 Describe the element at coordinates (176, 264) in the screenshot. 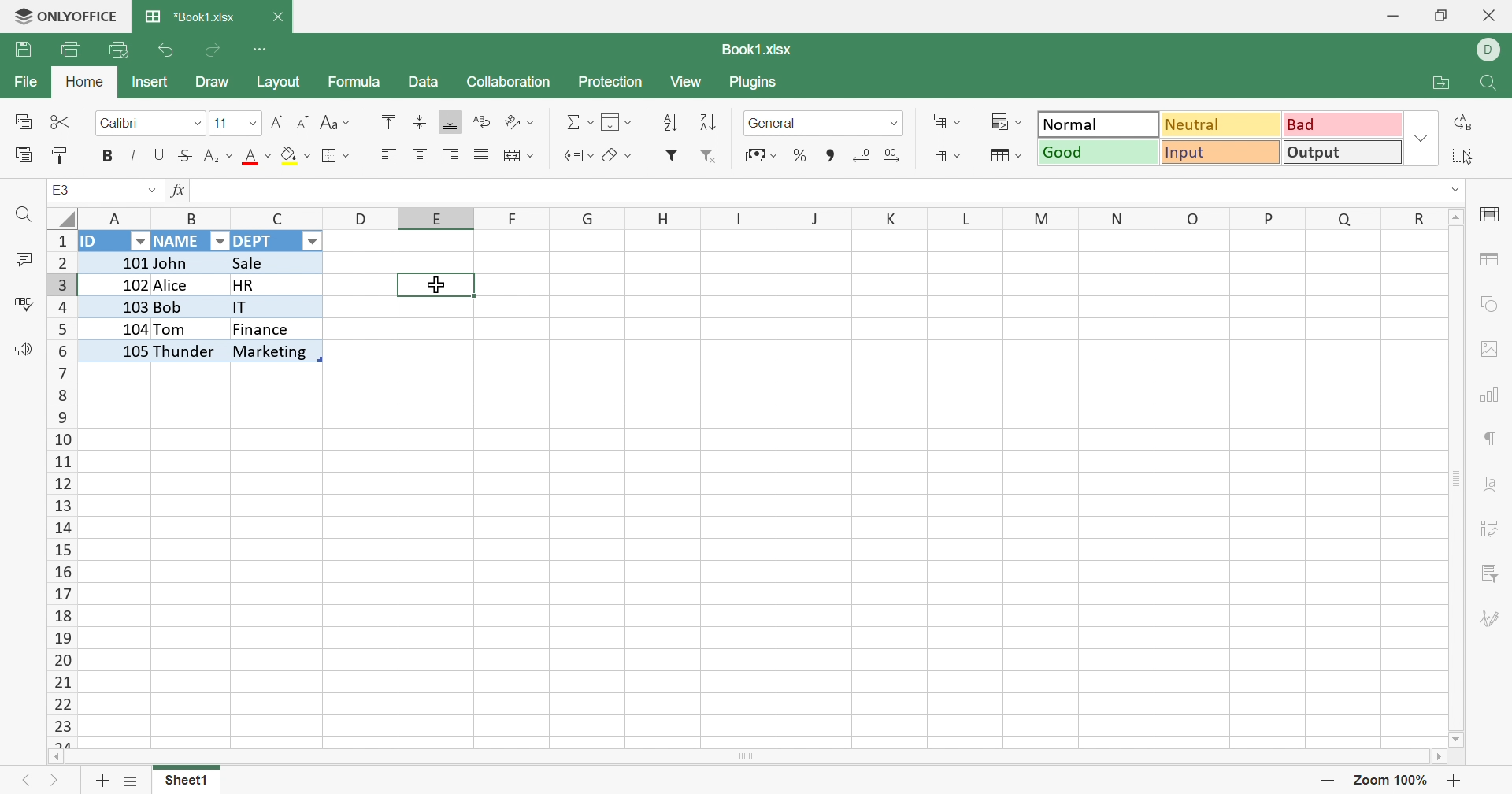

I see `John` at that location.